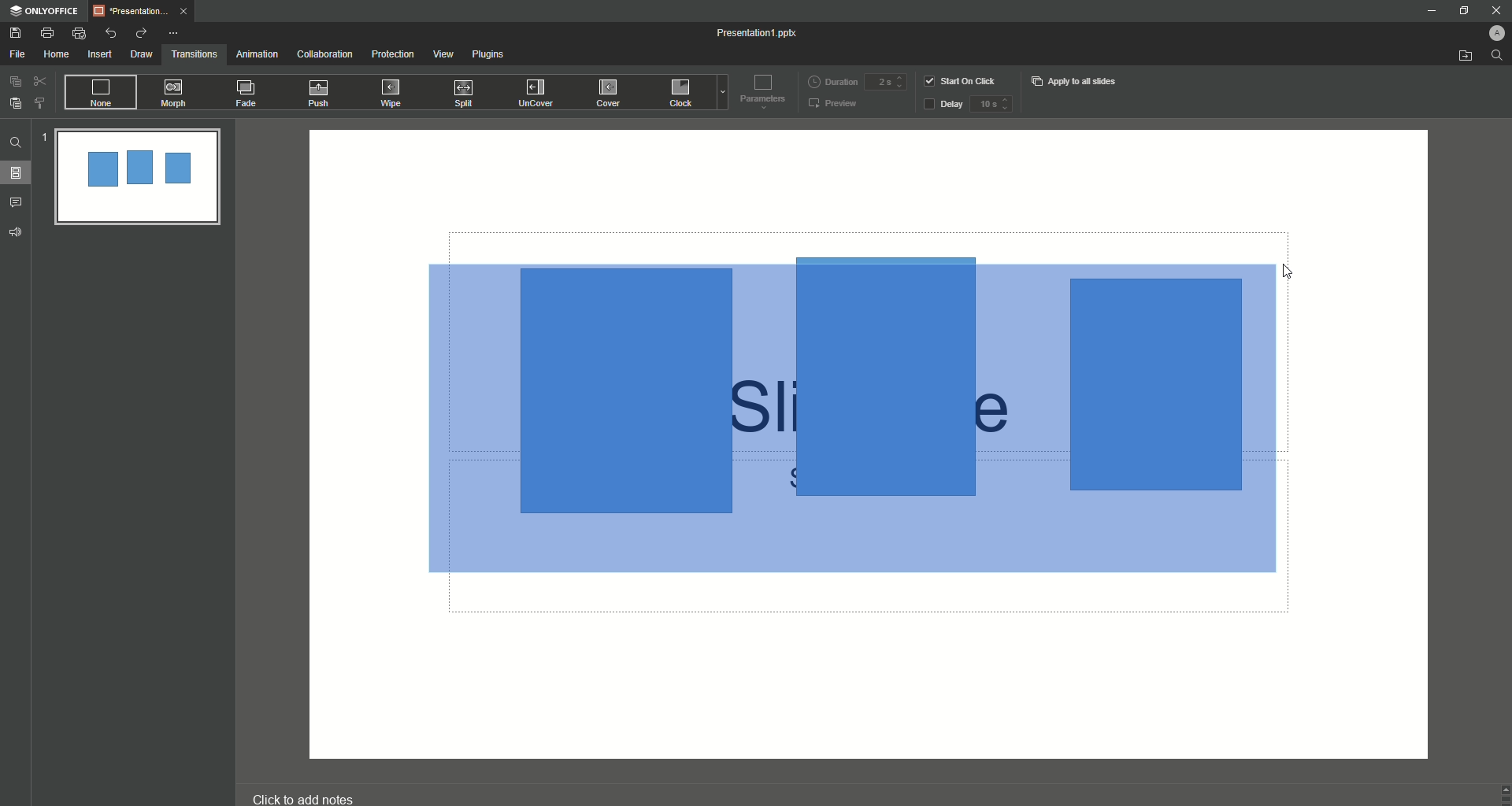  I want to click on Push, so click(321, 94).